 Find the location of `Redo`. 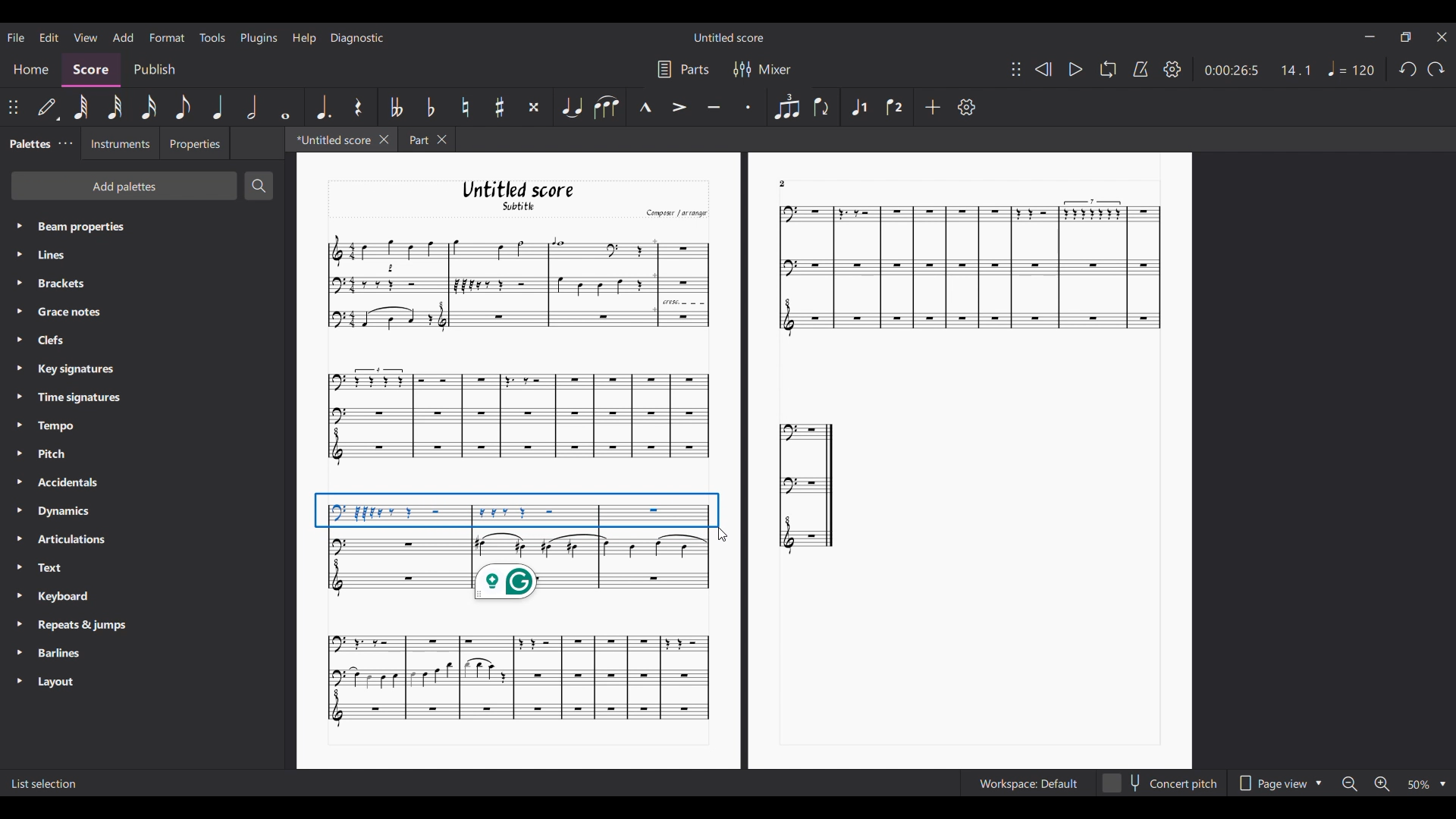

Redo is located at coordinates (1436, 69).